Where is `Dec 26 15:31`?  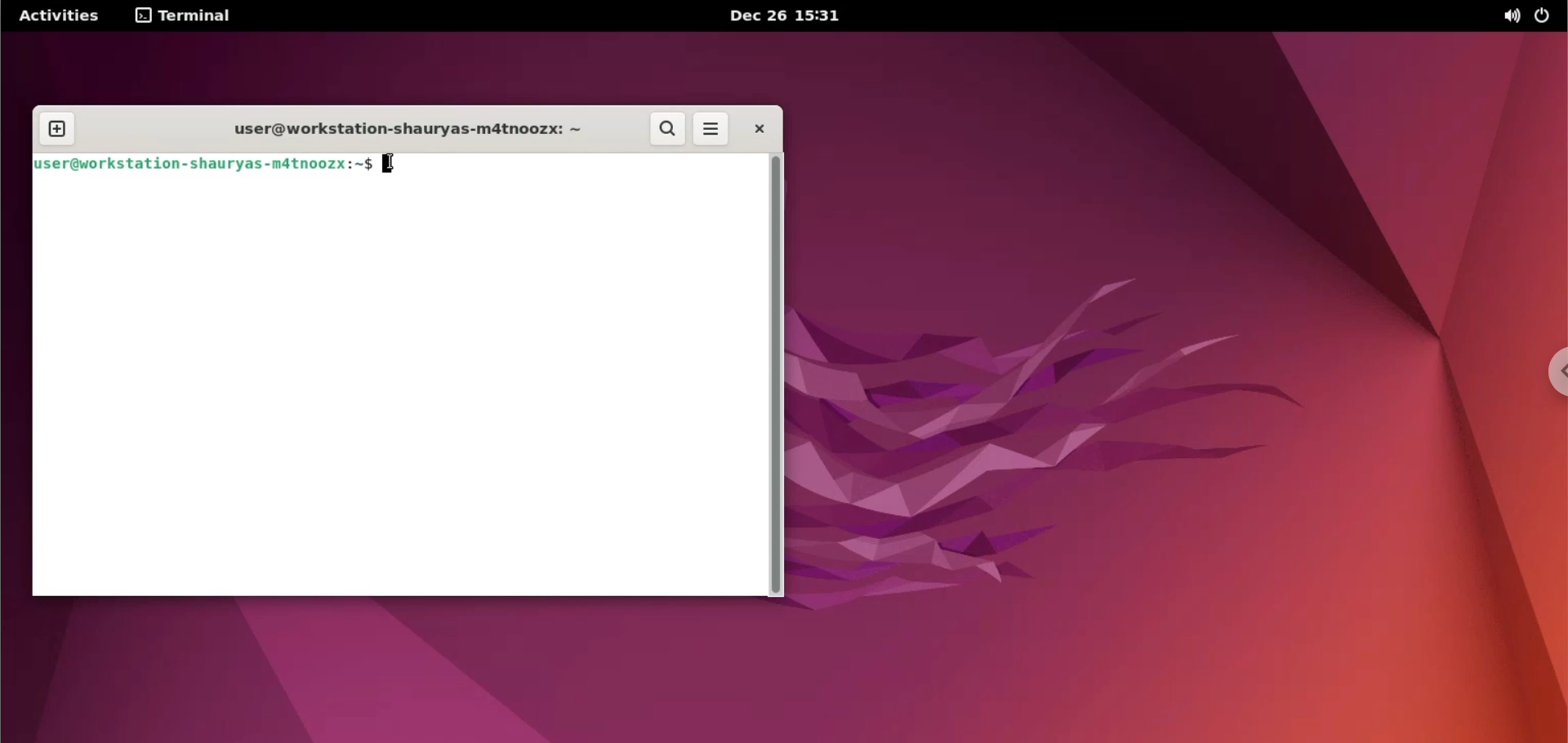
Dec 26 15:31 is located at coordinates (782, 16).